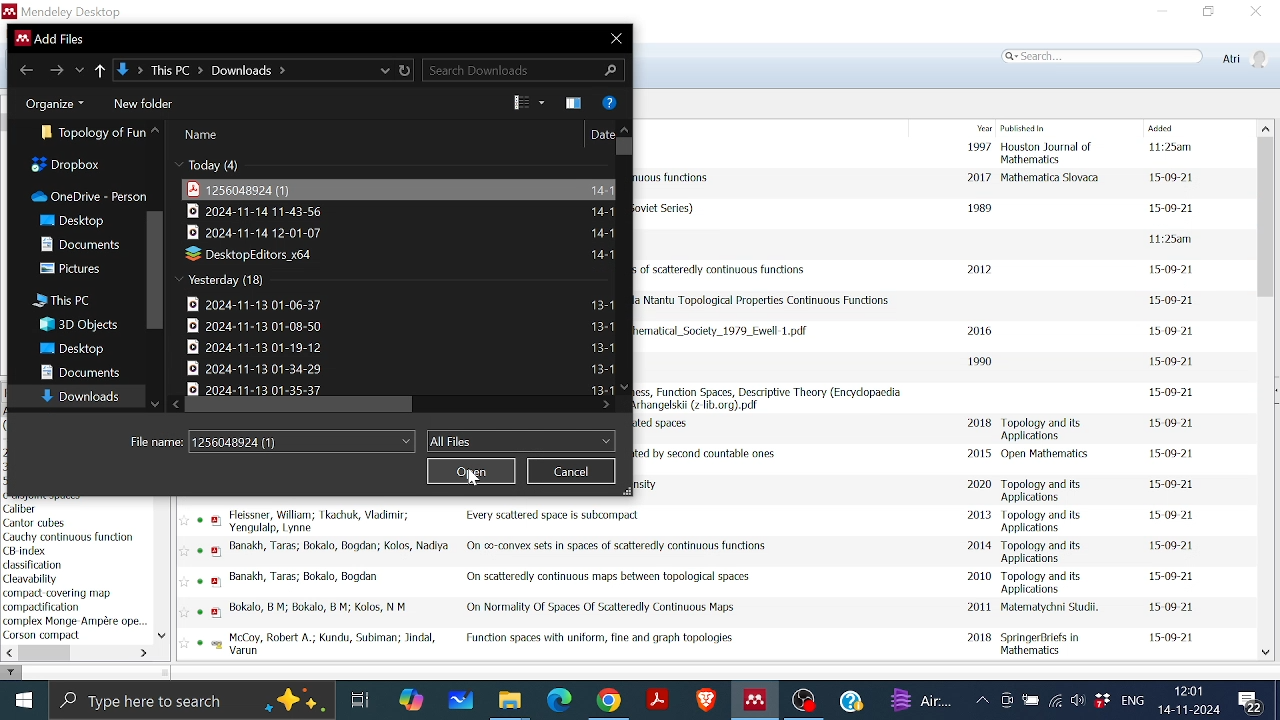 This screenshot has width=1280, height=720. What do you see at coordinates (1172, 392) in the screenshot?
I see `date` at bounding box center [1172, 392].